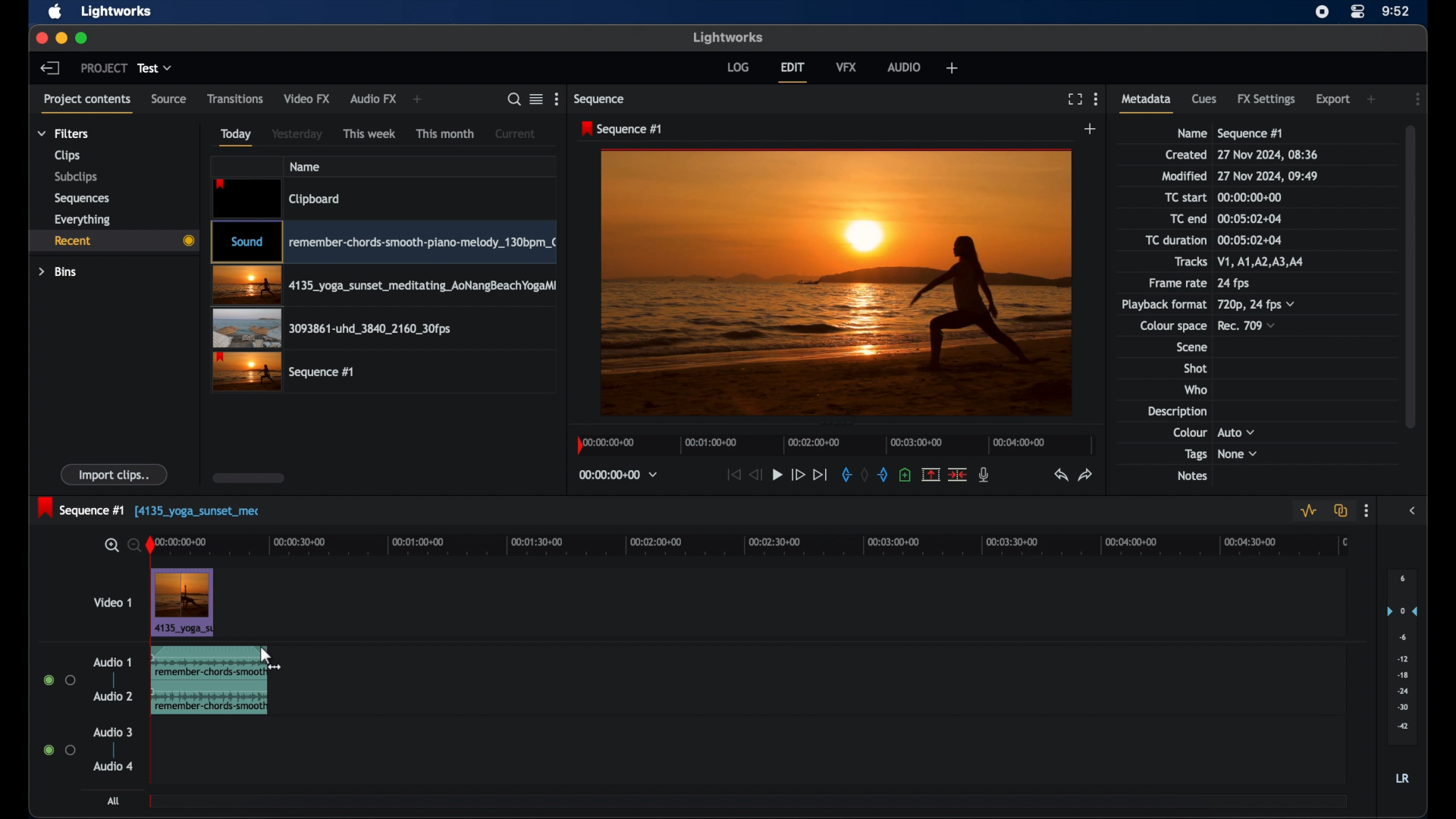  I want to click on screen recorder icon, so click(1323, 11).